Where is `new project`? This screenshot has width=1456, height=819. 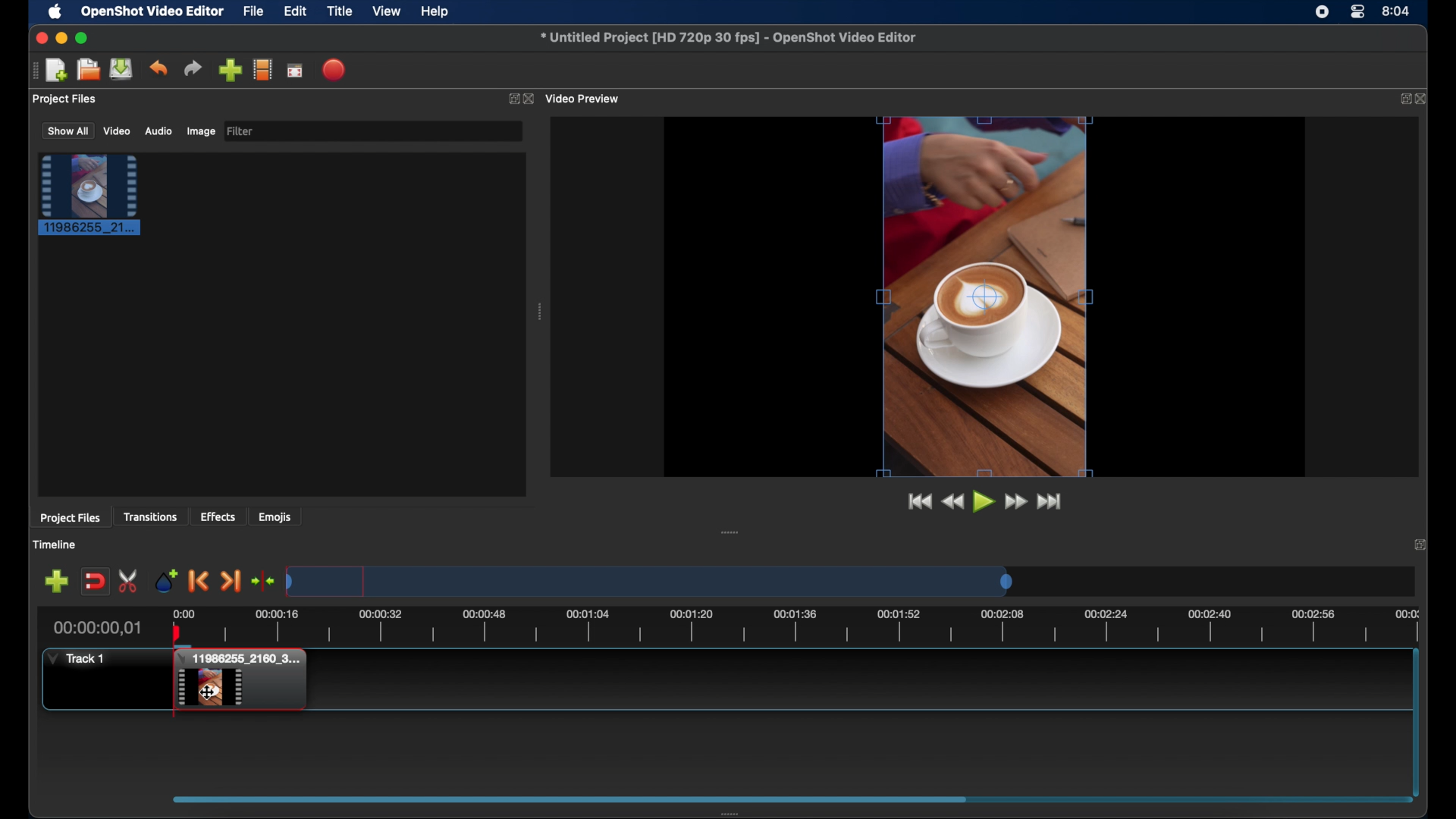 new project is located at coordinates (58, 69).